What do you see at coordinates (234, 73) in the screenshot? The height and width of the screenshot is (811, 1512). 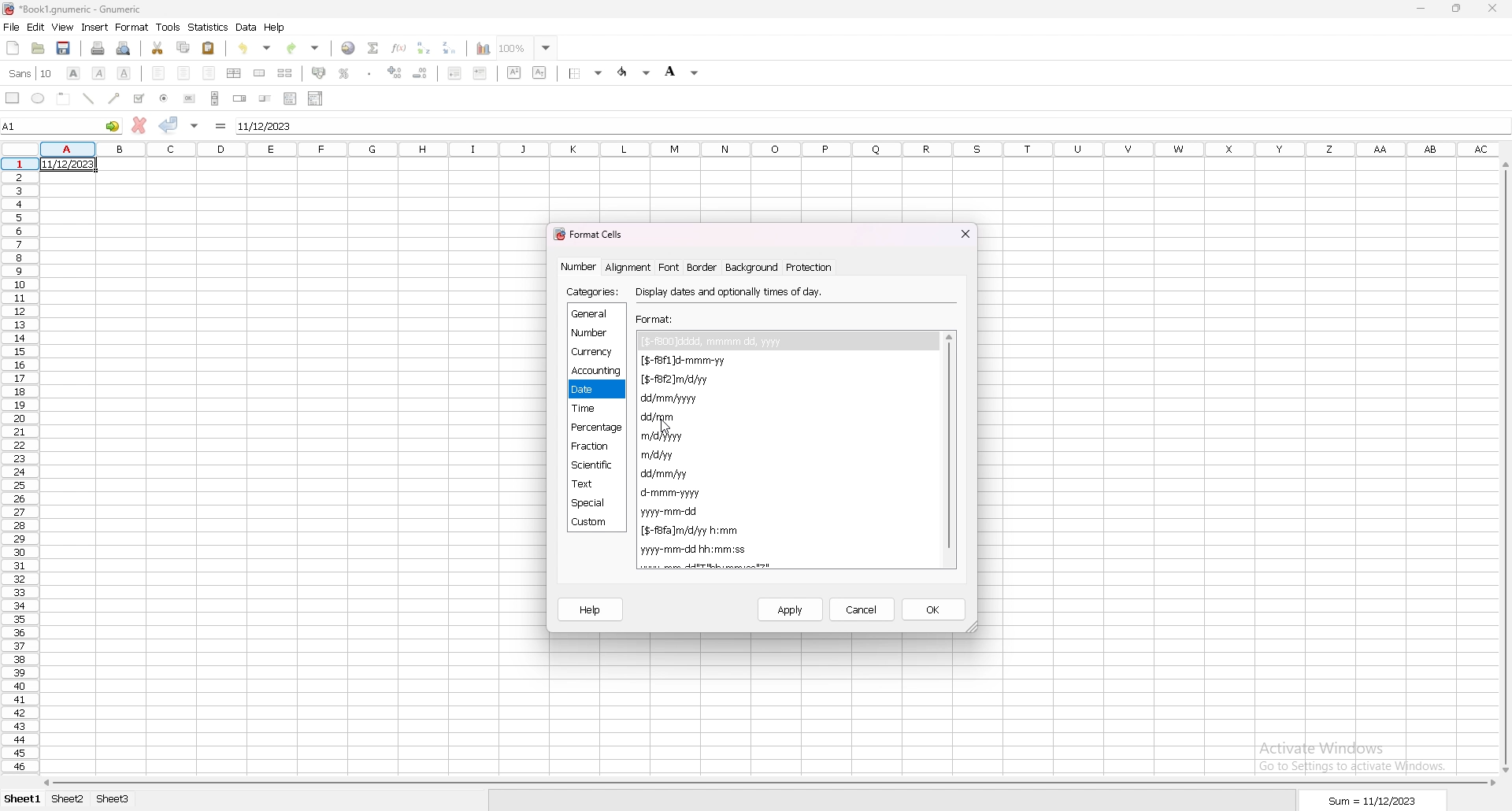 I see `centre horizontally` at bounding box center [234, 73].